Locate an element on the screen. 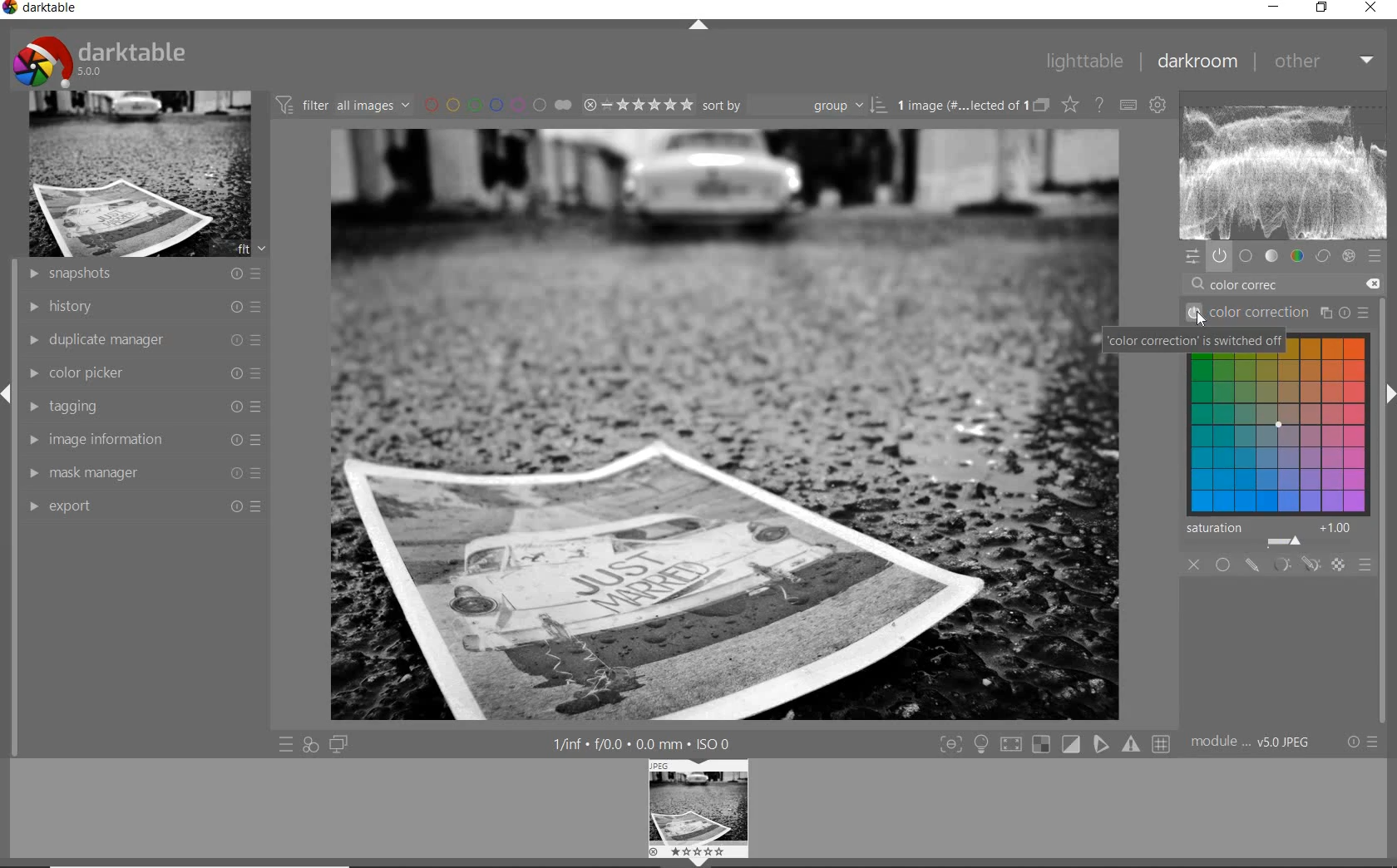  color is located at coordinates (1296, 257).